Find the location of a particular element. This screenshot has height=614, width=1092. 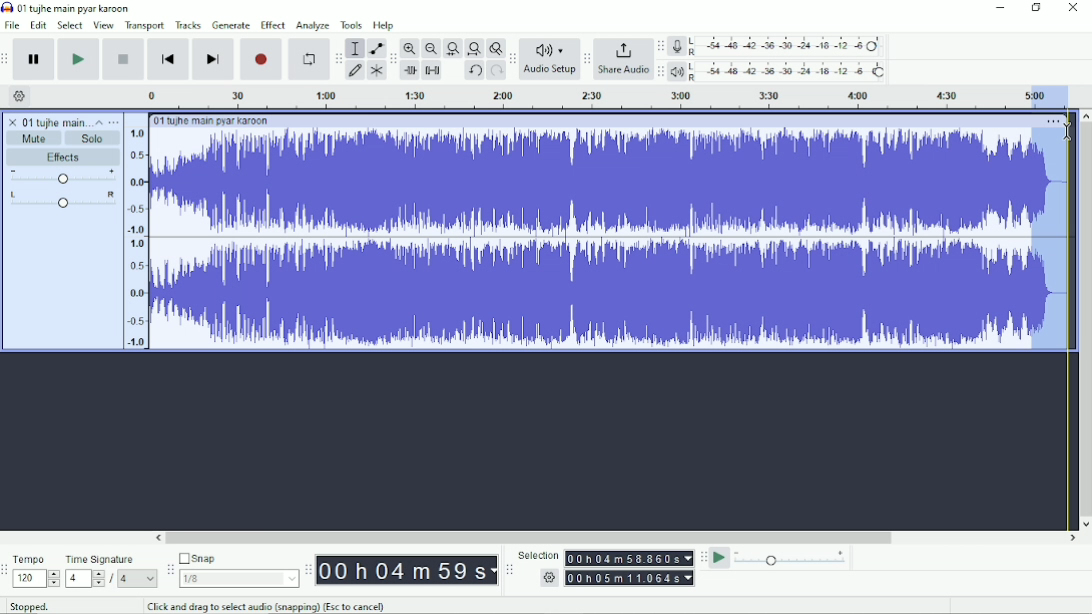

Audio Setup is located at coordinates (550, 59).